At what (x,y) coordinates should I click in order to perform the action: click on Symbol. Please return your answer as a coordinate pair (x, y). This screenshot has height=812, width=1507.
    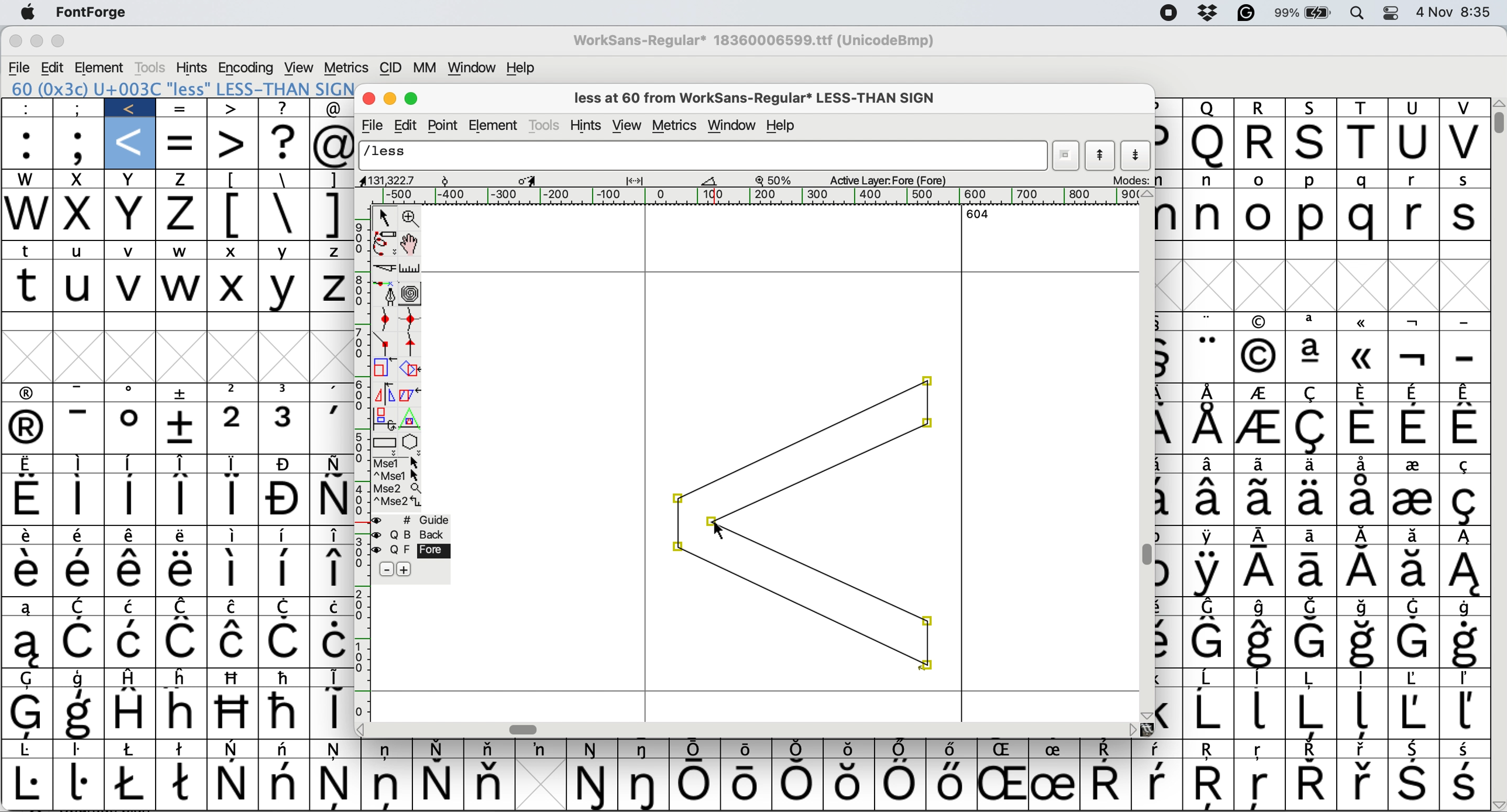
    Looking at the image, I should click on (1209, 714).